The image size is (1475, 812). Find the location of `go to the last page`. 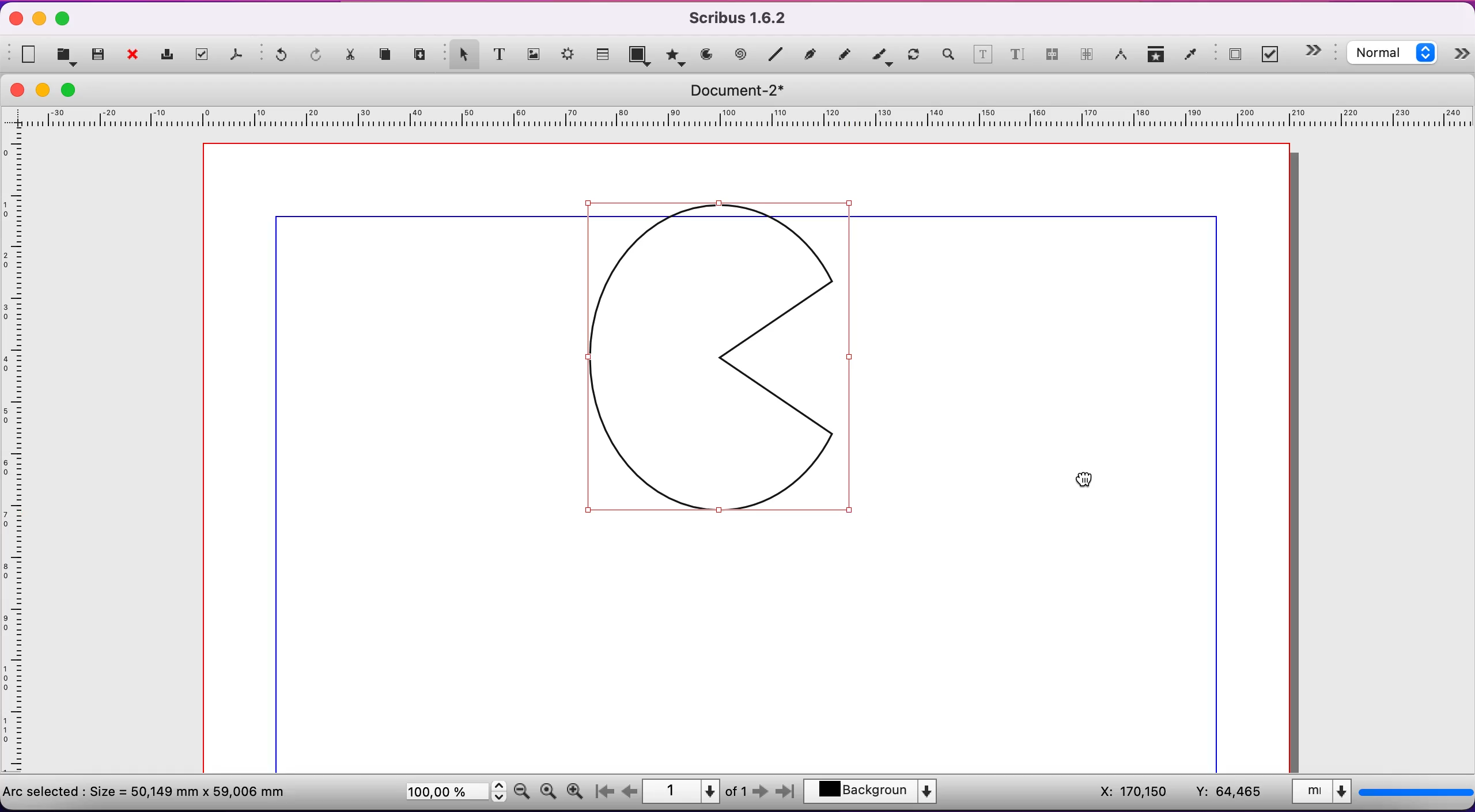

go to the last page is located at coordinates (784, 794).